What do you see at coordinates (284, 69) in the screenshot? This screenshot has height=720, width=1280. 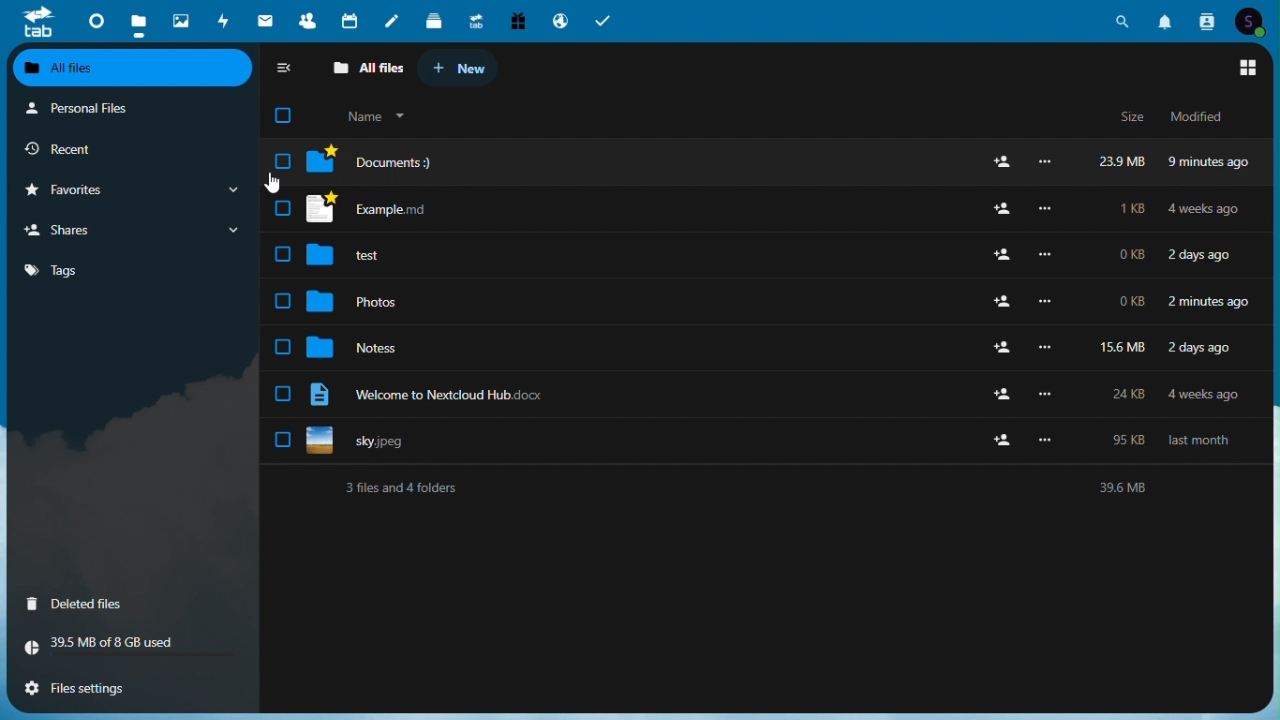 I see `Collapse sidebar` at bounding box center [284, 69].